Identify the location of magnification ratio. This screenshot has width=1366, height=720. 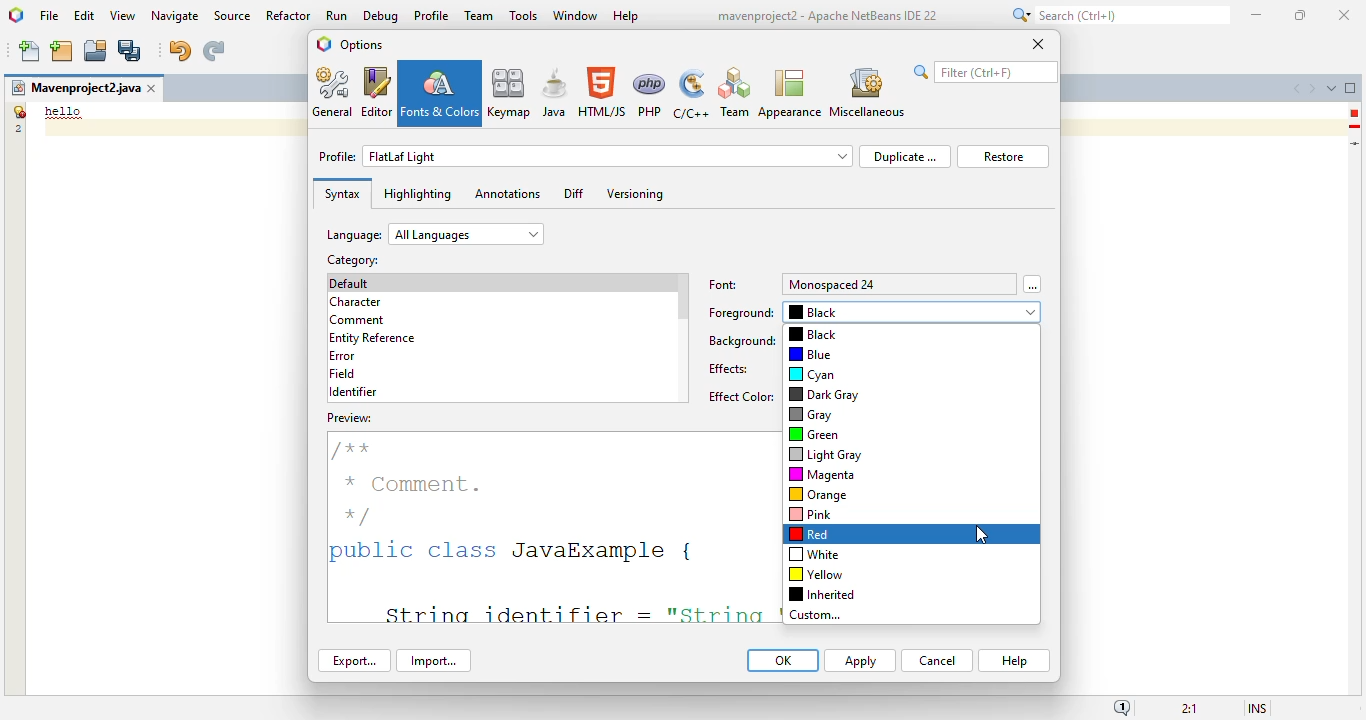
(1188, 707).